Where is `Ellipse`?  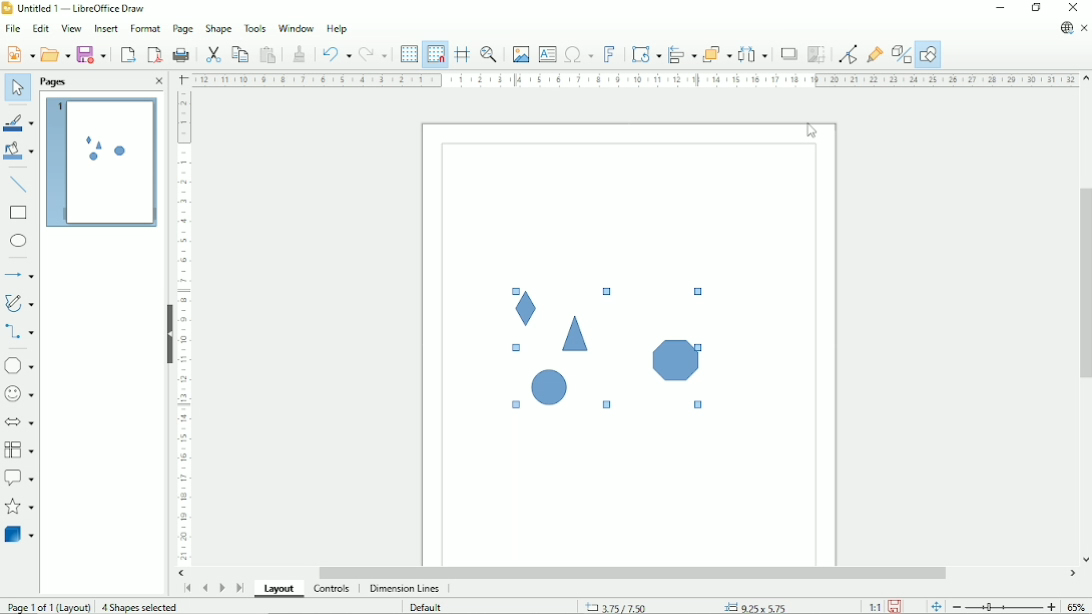 Ellipse is located at coordinates (19, 241).